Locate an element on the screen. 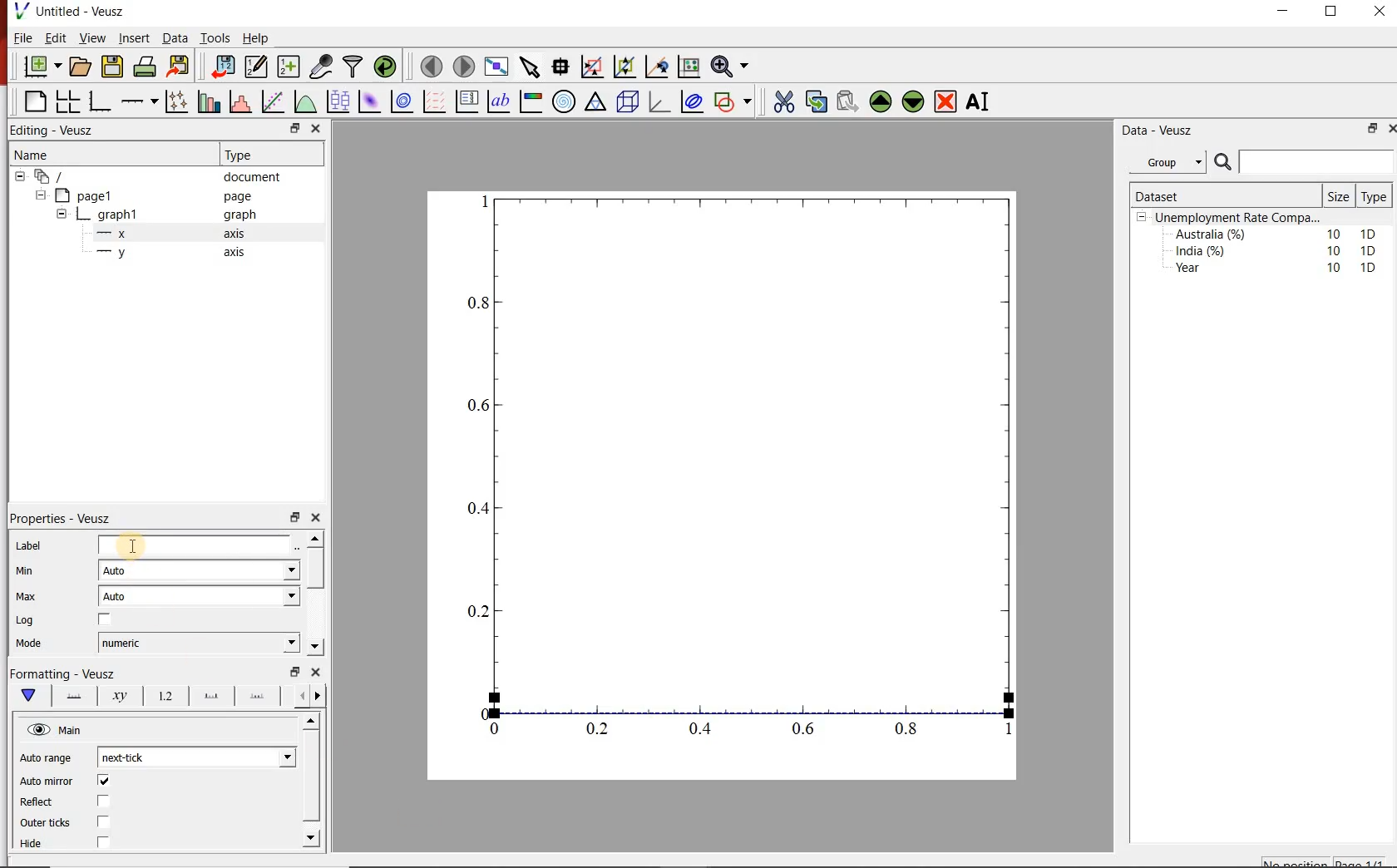 The image size is (1397, 868). Outer ticks is located at coordinates (46, 823).